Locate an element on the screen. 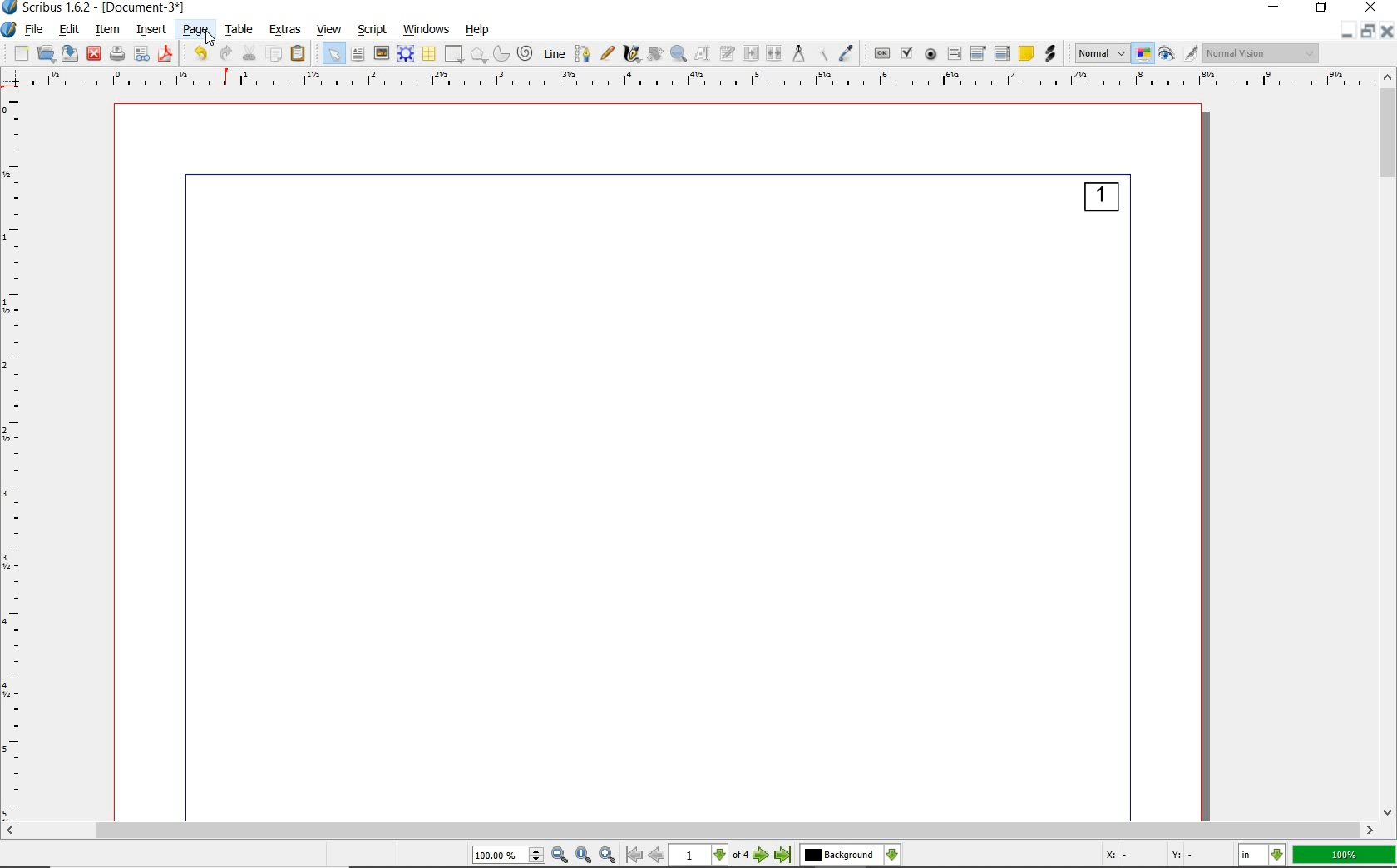 The width and height of the screenshot is (1397, 868). save is located at coordinates (68, 53).